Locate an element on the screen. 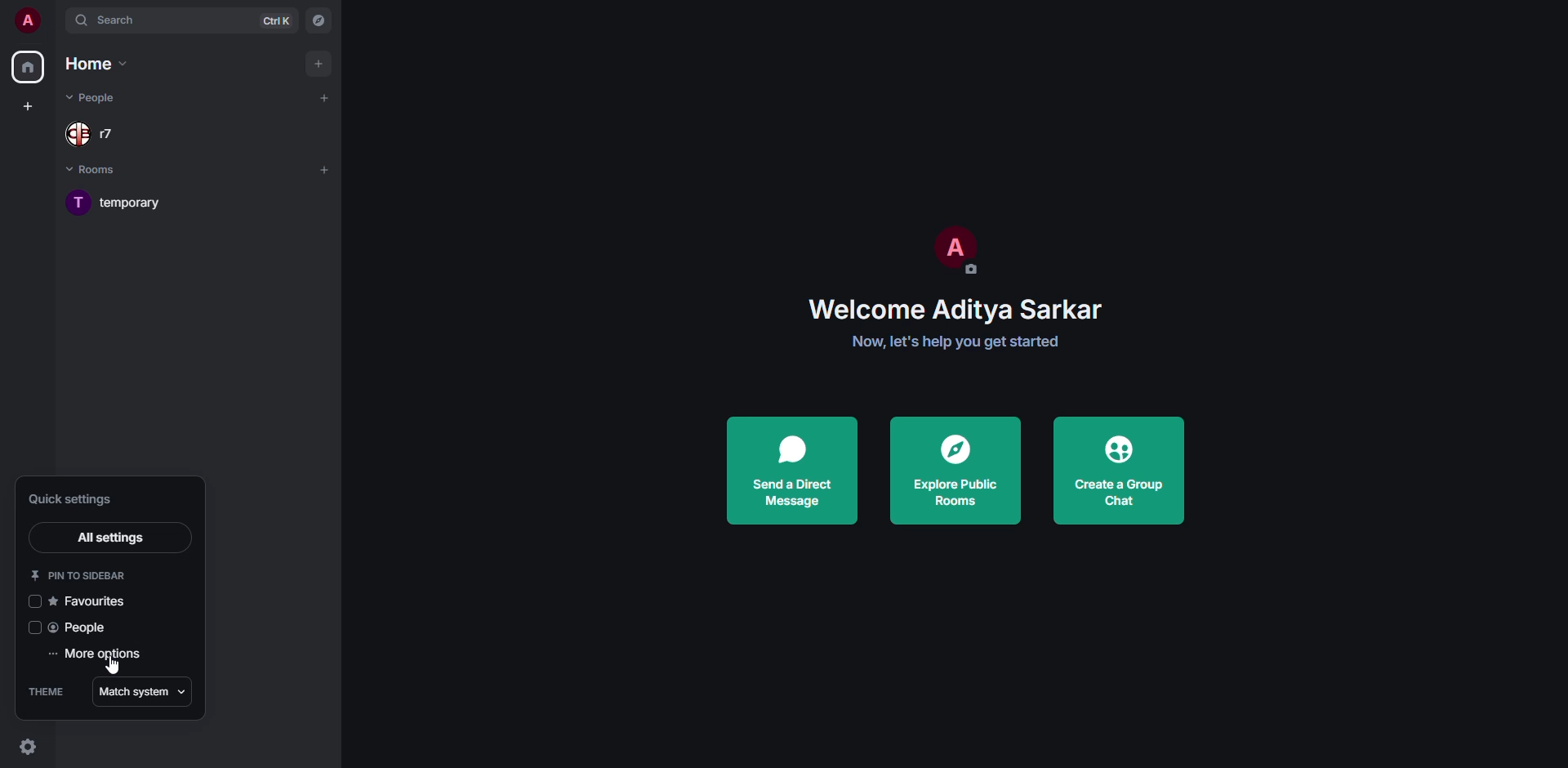 Image resolution: width=1568 pixels, height=768 pixels. expand is located at coordinates (56, 20).